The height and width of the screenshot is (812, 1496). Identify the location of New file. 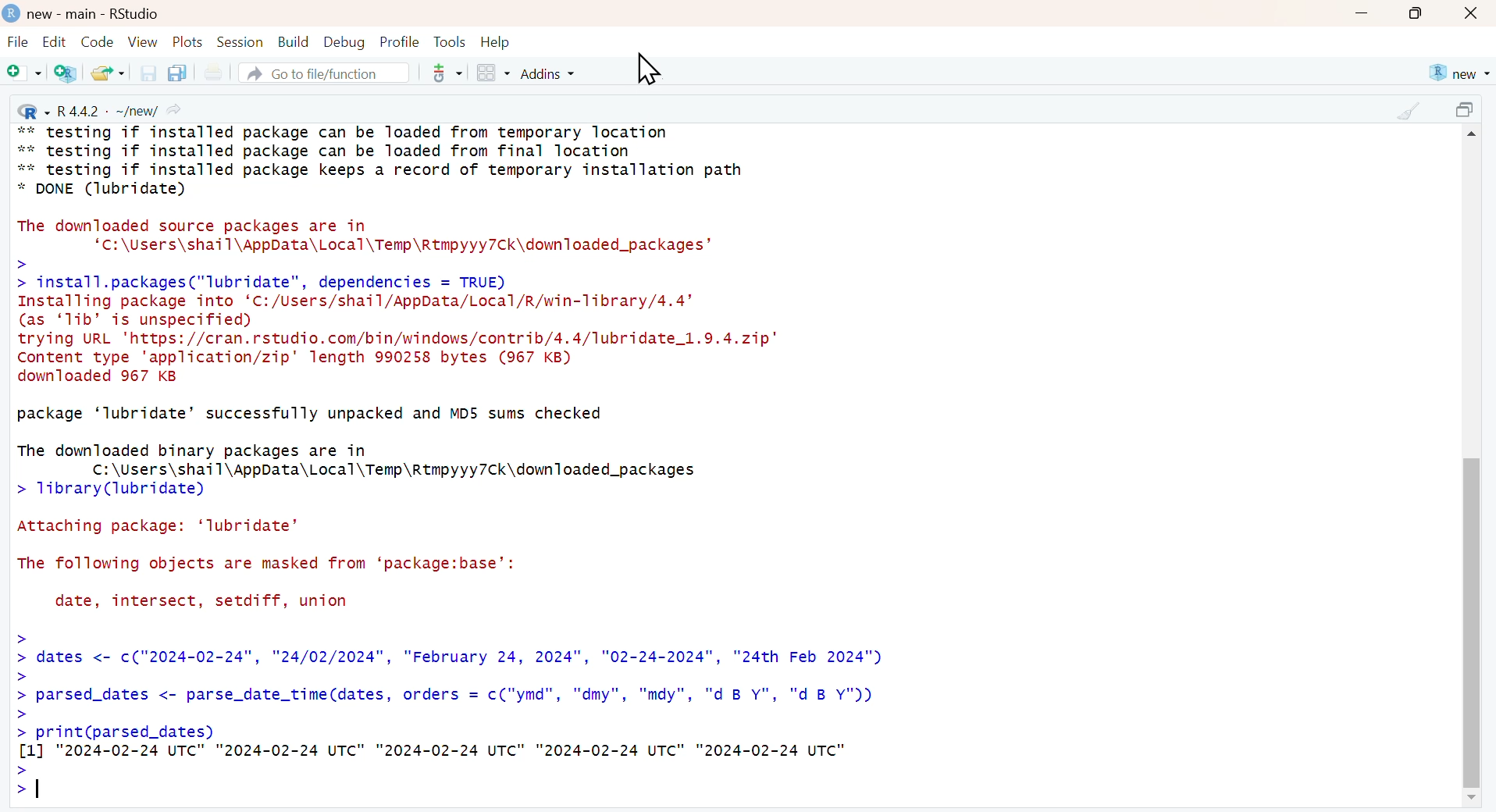
(25, 74).